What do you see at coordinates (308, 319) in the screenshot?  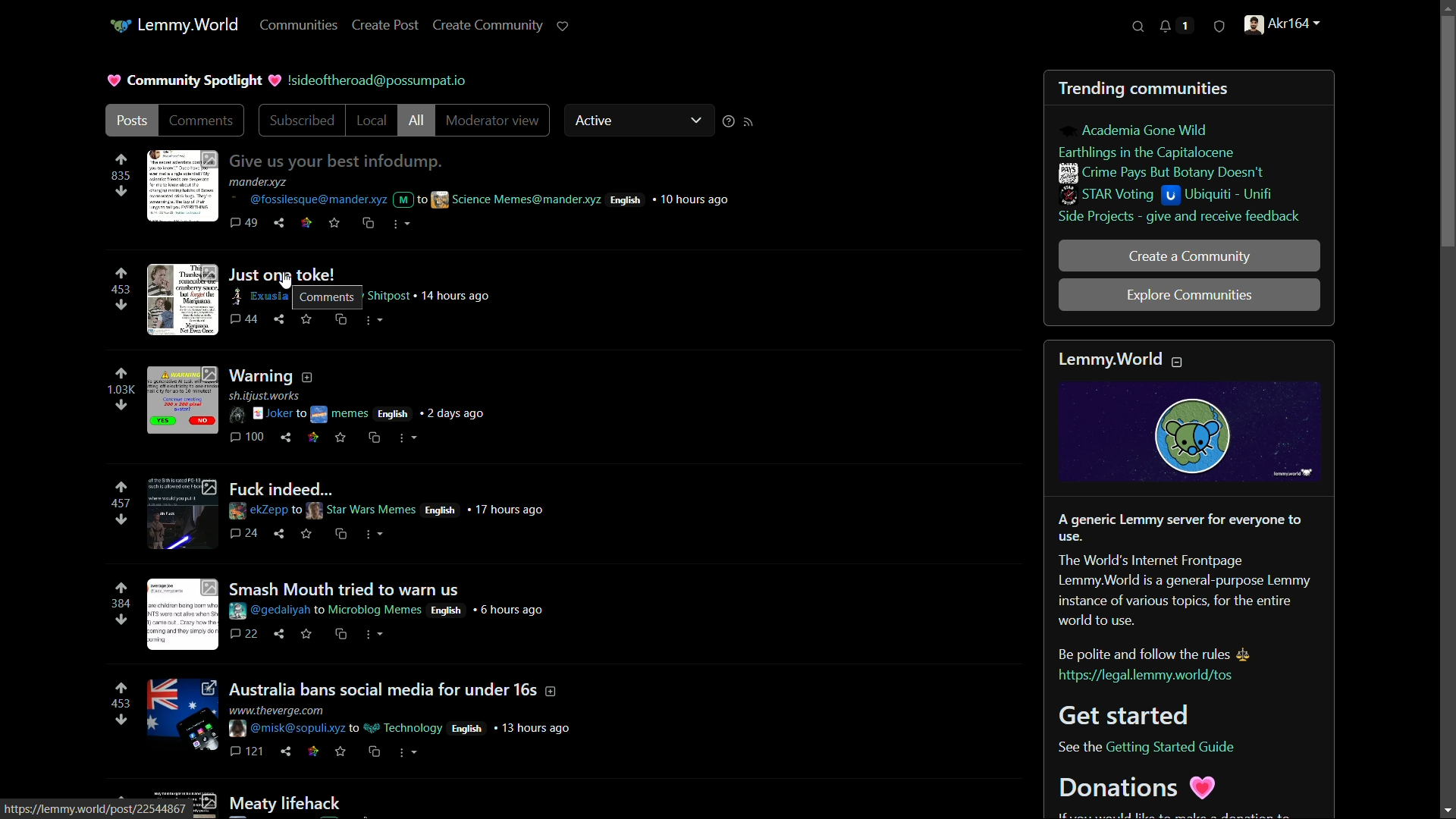 I see `save` at bounding box center [308, 319].